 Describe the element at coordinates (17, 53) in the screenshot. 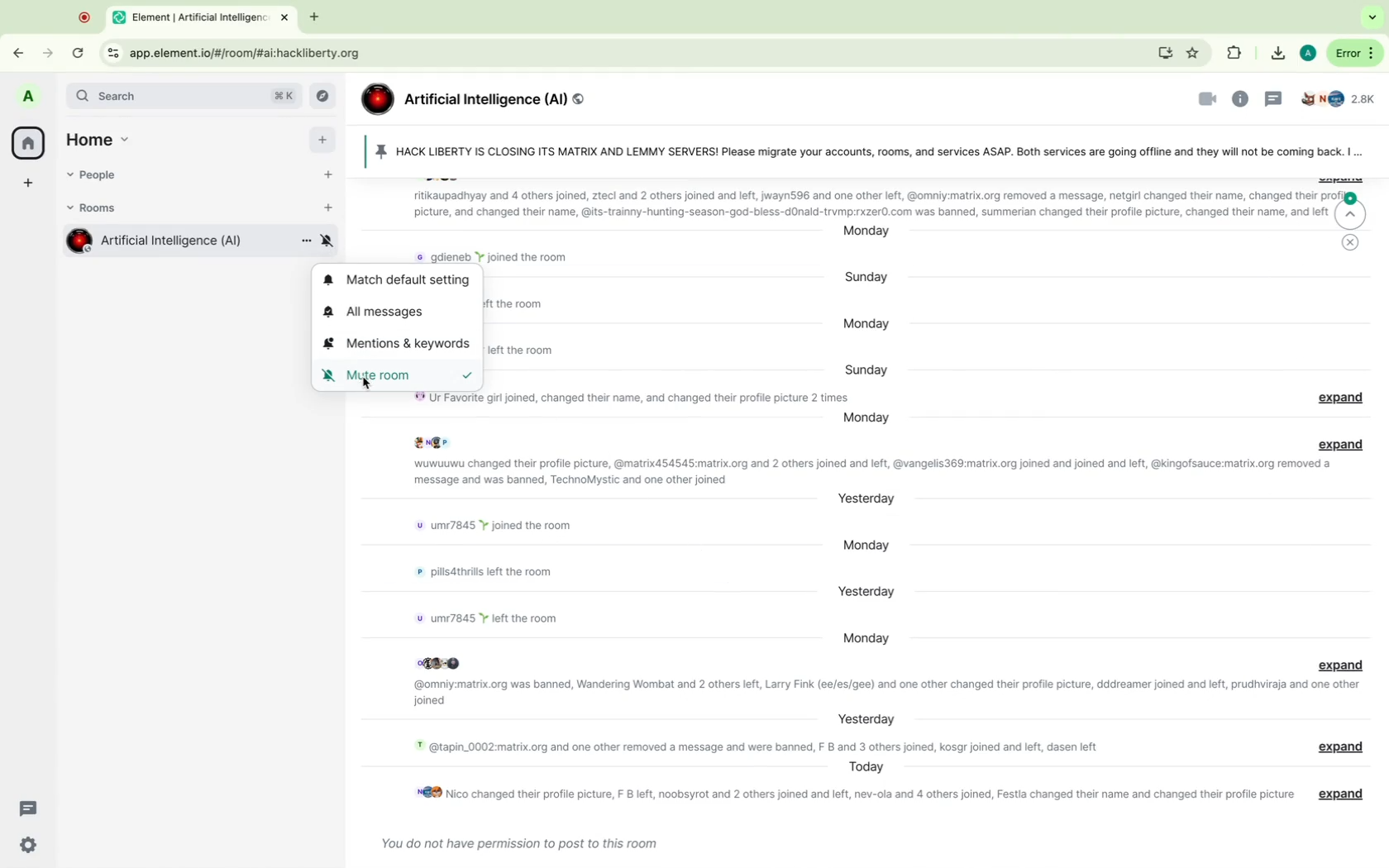

I see `back` at that location.